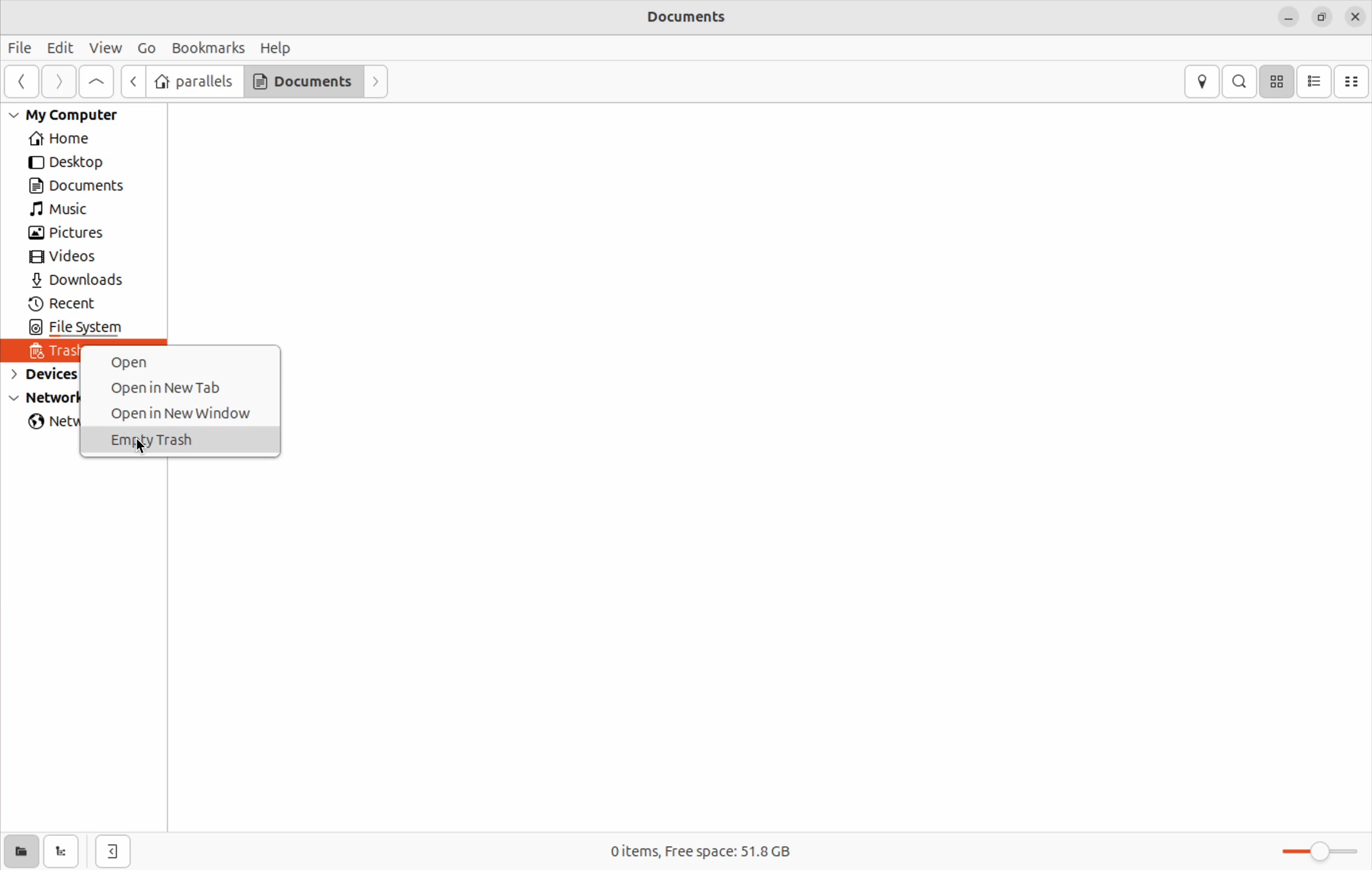 The image size is (1372, 870). What do you see at coordinates (144, 447) in the screenshot?
I see `cursor` at bounding box center [144, 447].